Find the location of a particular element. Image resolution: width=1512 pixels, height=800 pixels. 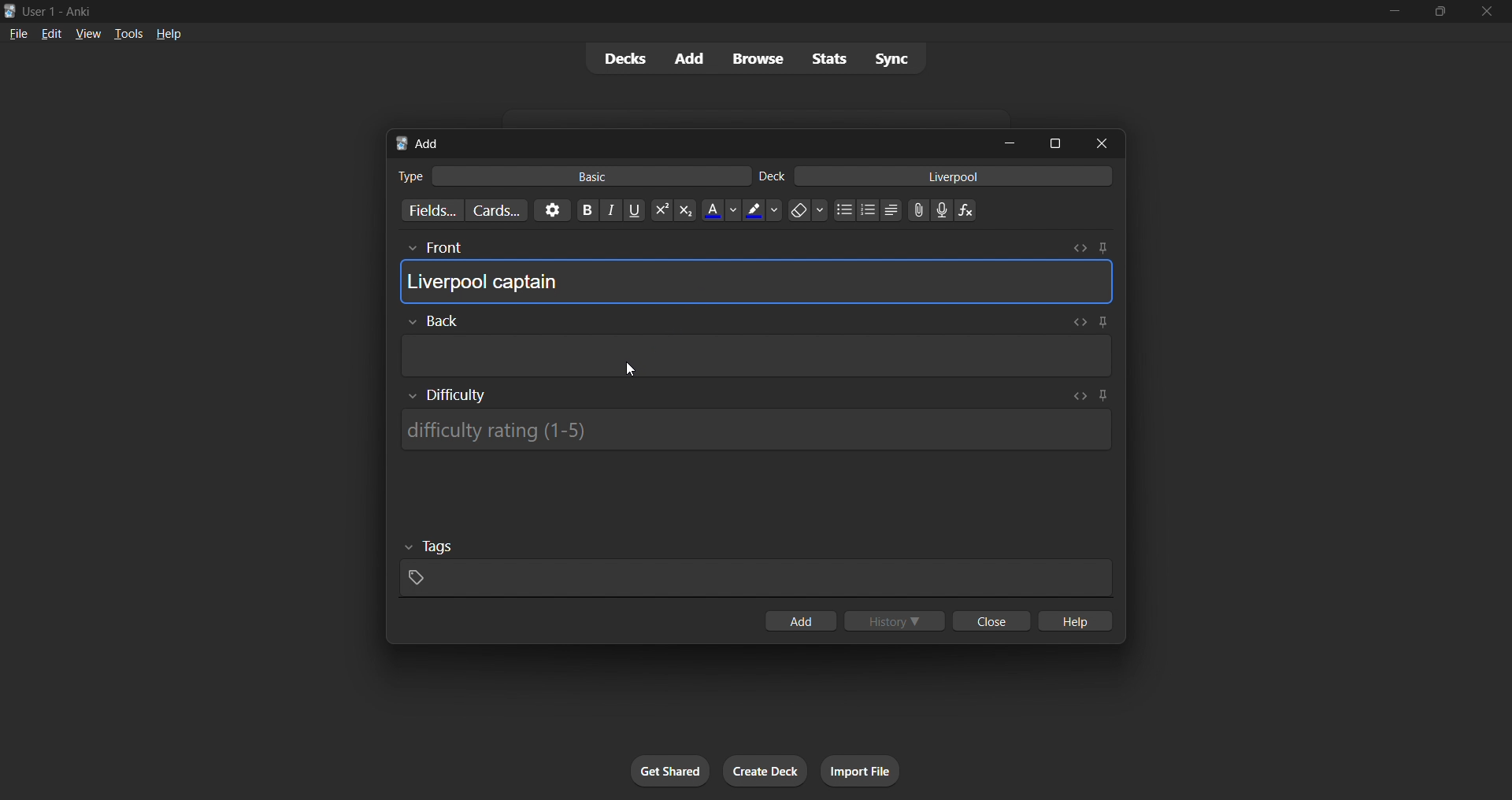

Text is located at coordinates (772, 176).